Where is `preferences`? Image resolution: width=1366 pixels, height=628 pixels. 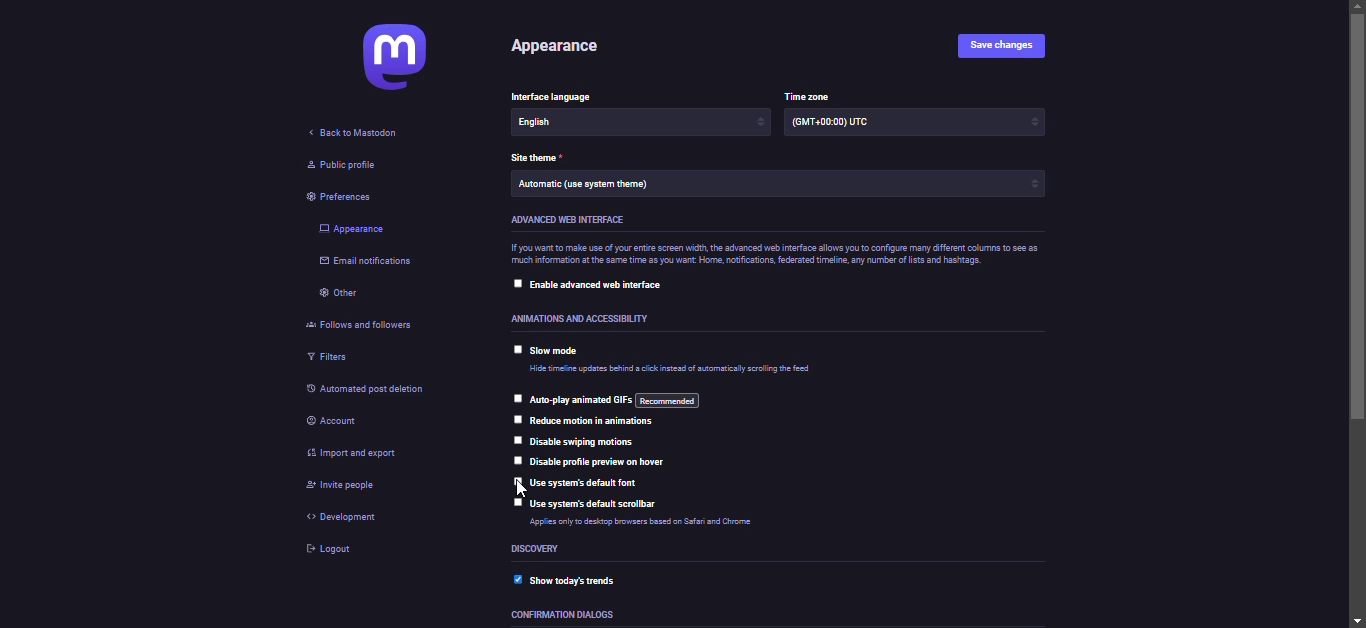 preferences is located at coordinates (339, 197).